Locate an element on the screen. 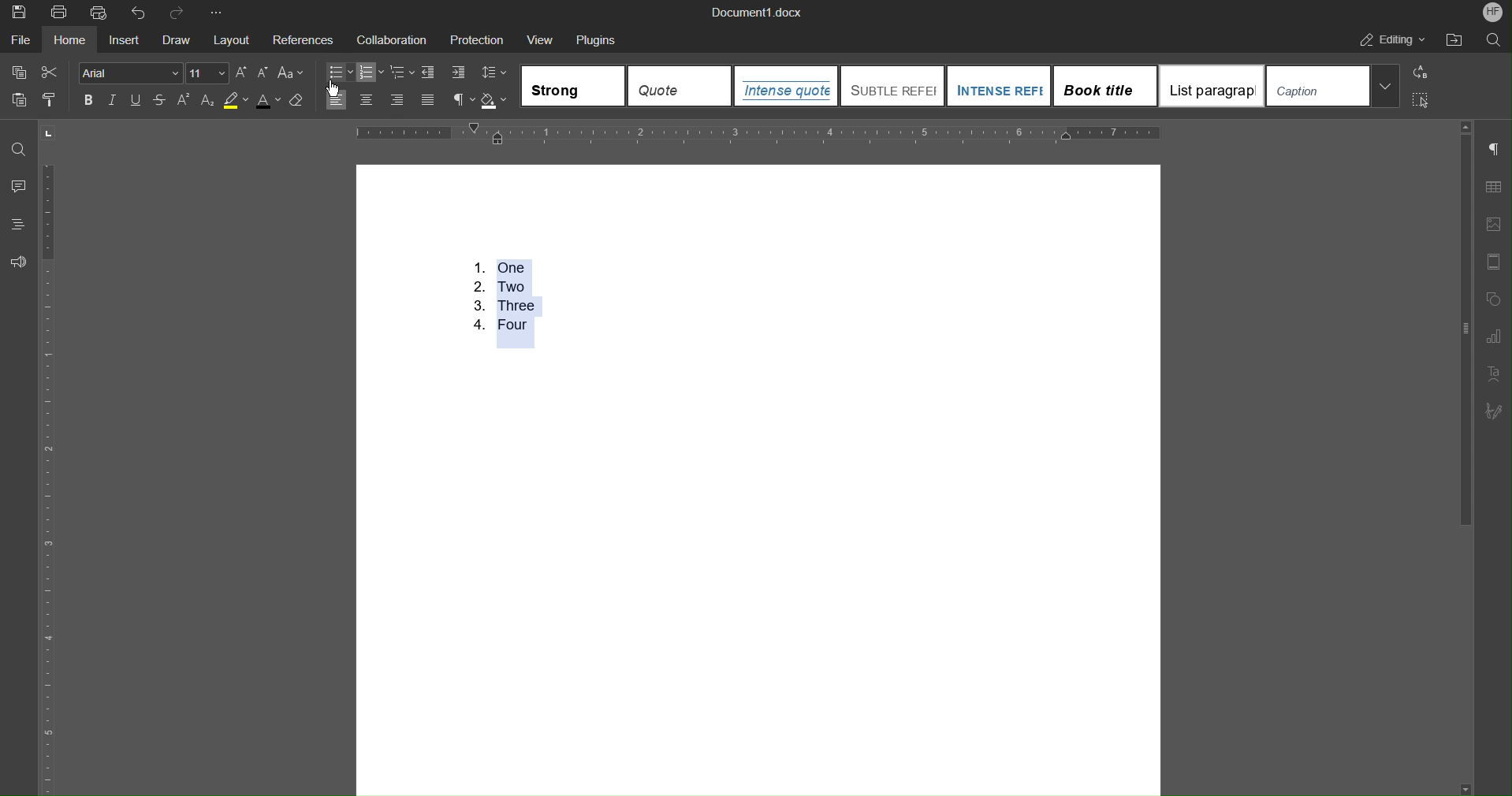  Highlight is located at coordinates (234, 102).